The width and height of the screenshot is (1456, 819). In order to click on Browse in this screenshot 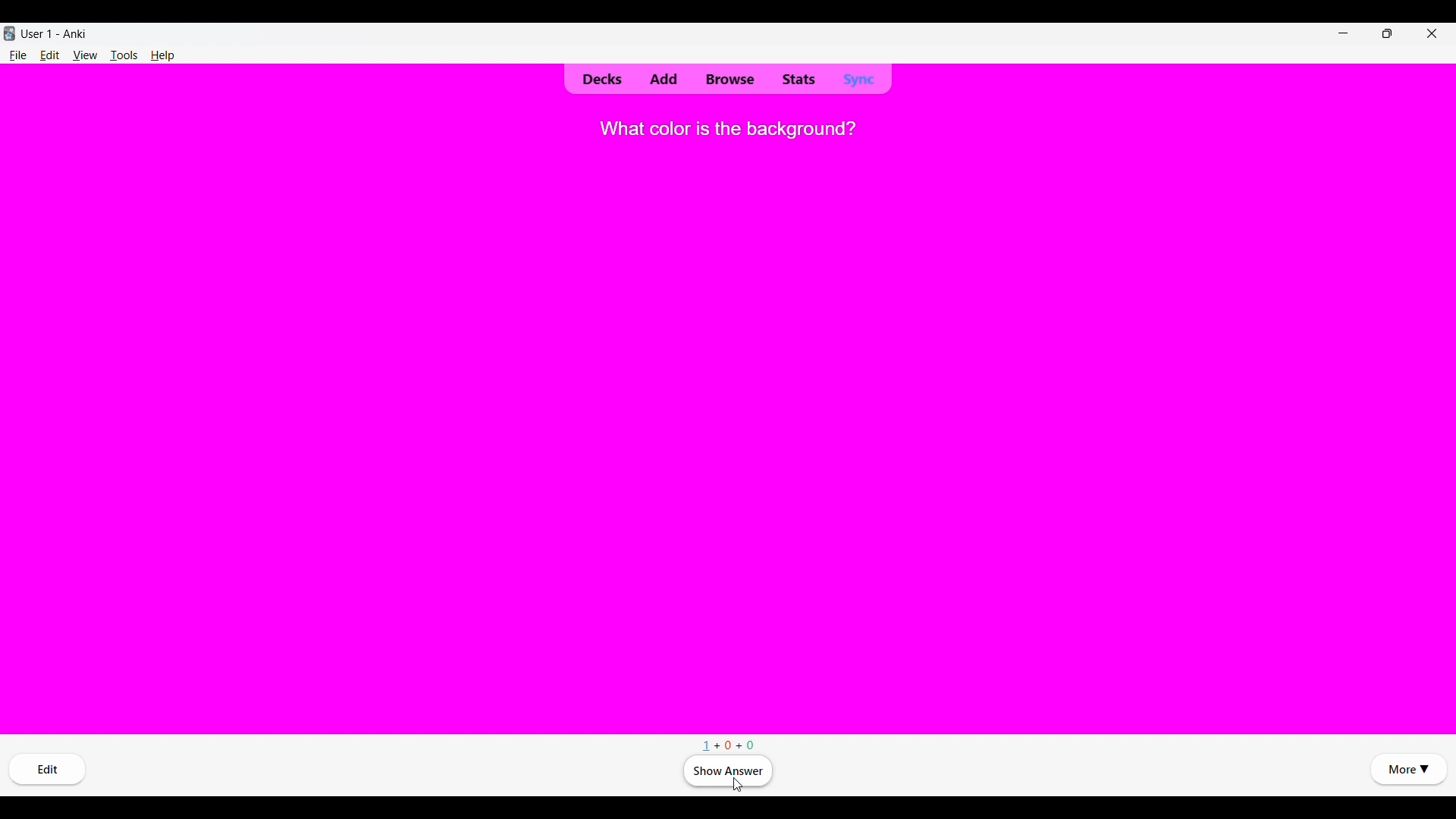, I will do `click(728, 78)`.